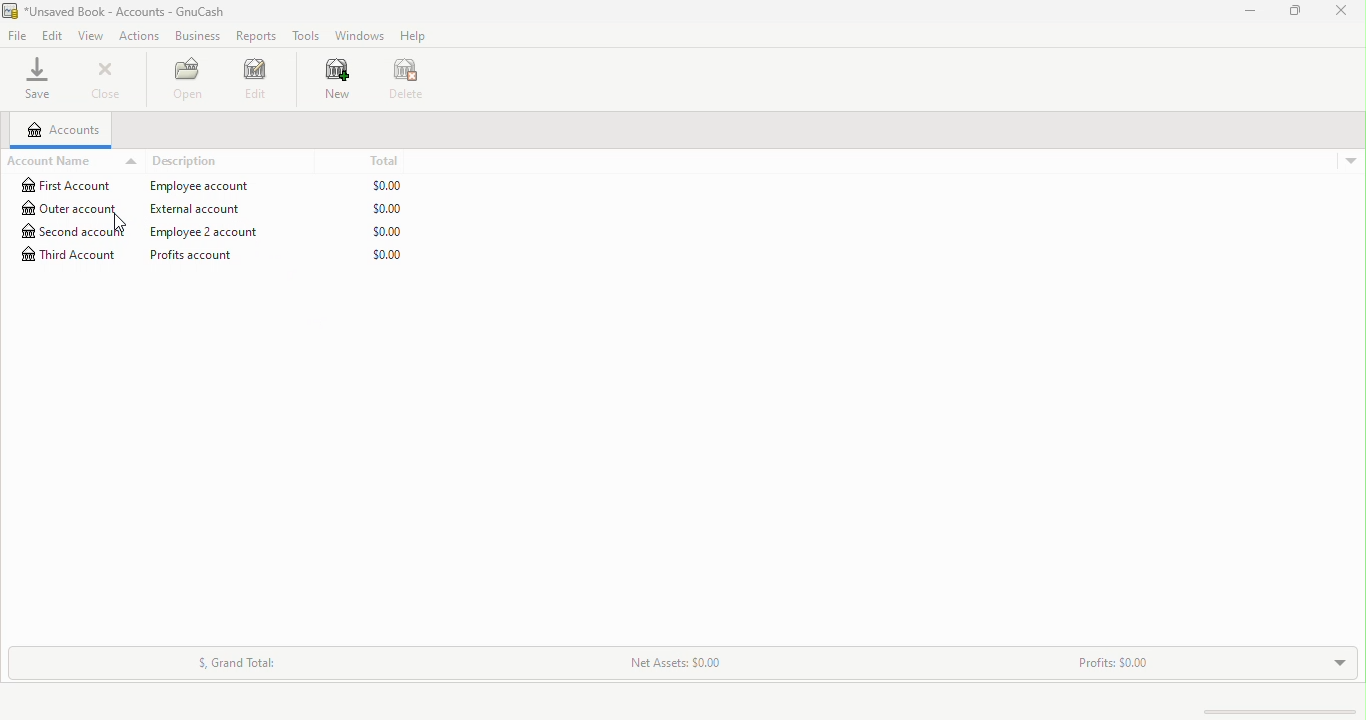  I want to click on Help, so click(413, 35).